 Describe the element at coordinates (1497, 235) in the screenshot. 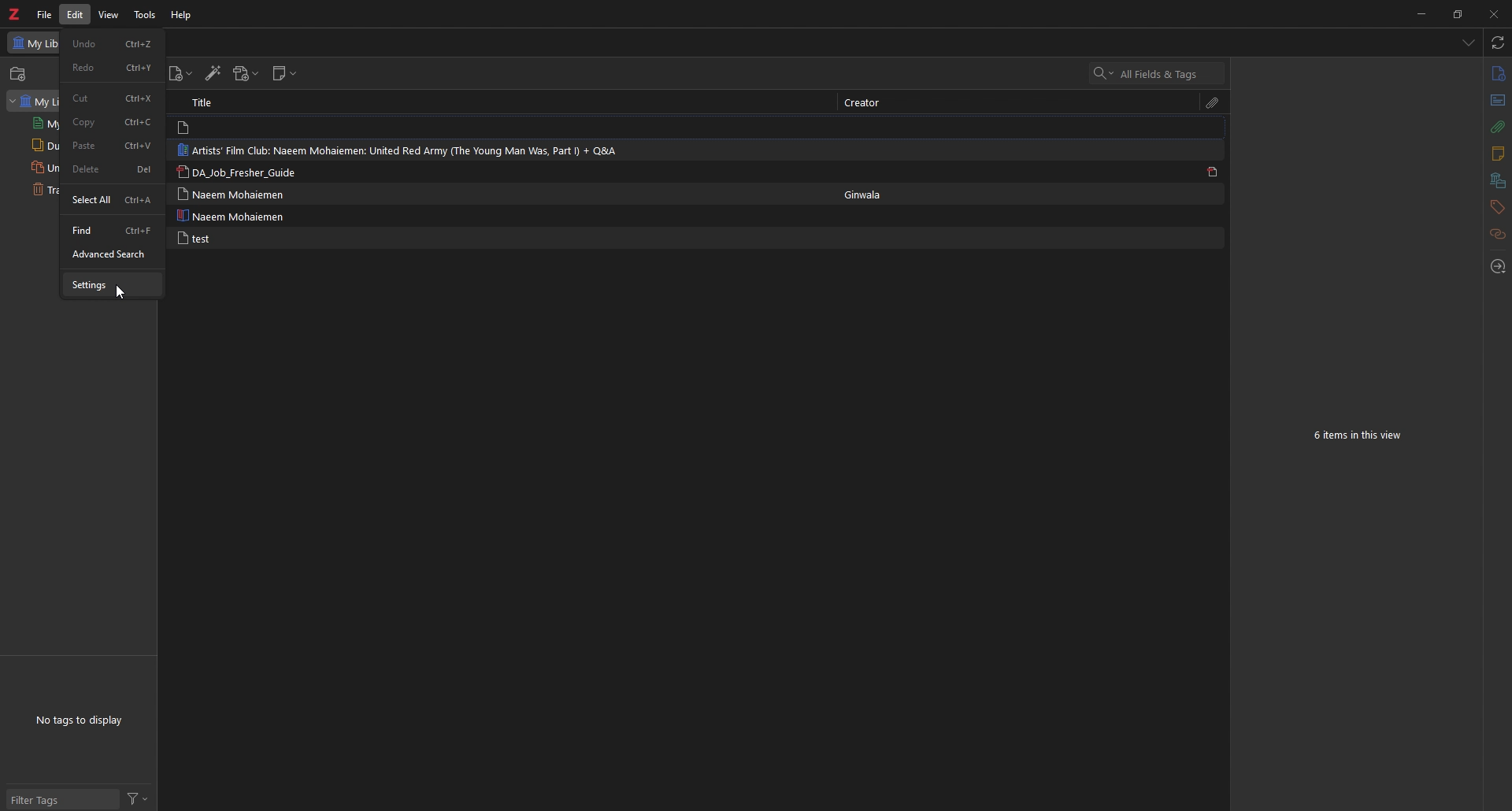

I see `related` at that location.